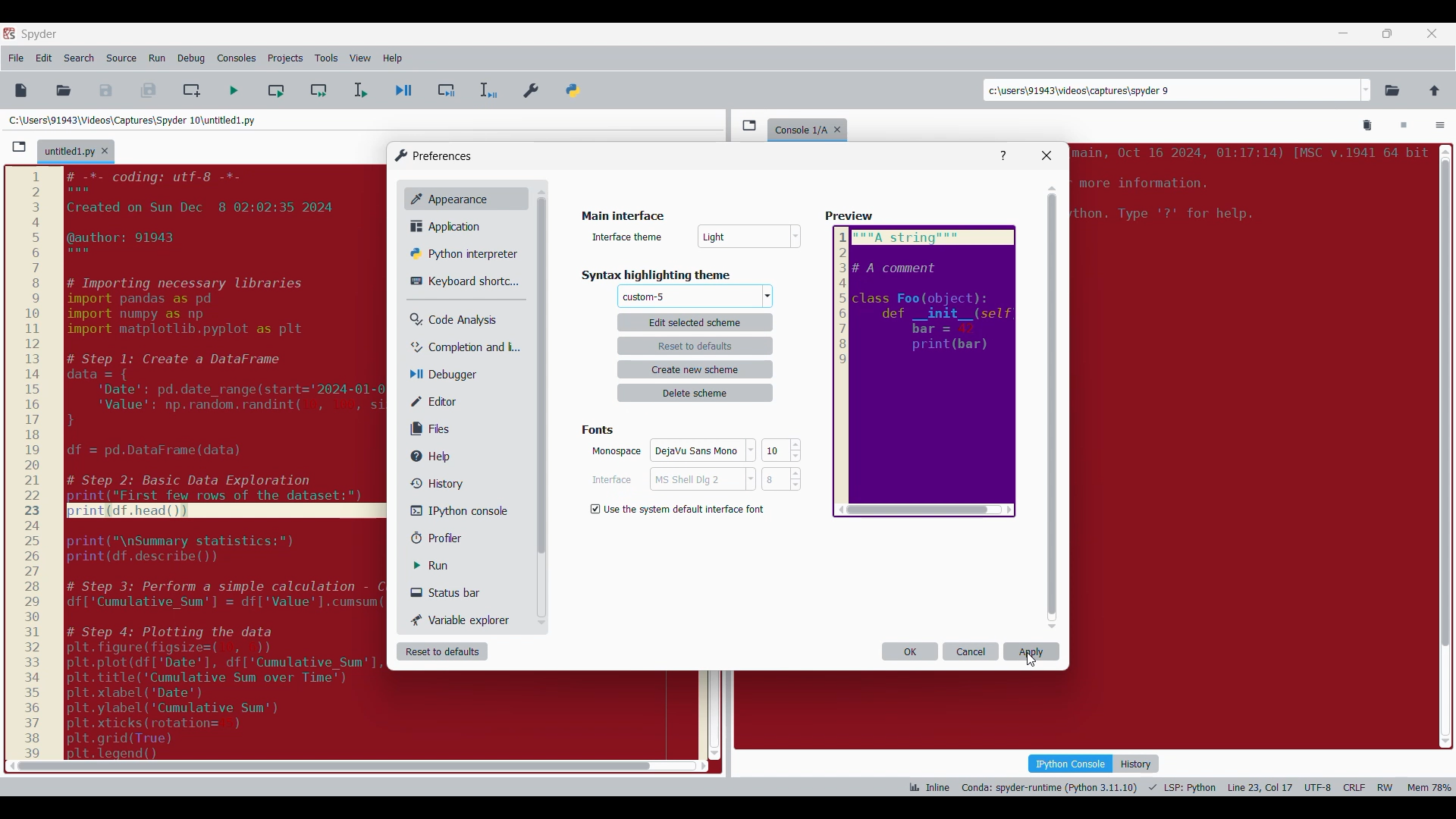 The height and width of the screenshot is (819, 1456). What do you see at coordinates (798, 128) in the screenshot?
I see `console` at bounding box center [798, 128].